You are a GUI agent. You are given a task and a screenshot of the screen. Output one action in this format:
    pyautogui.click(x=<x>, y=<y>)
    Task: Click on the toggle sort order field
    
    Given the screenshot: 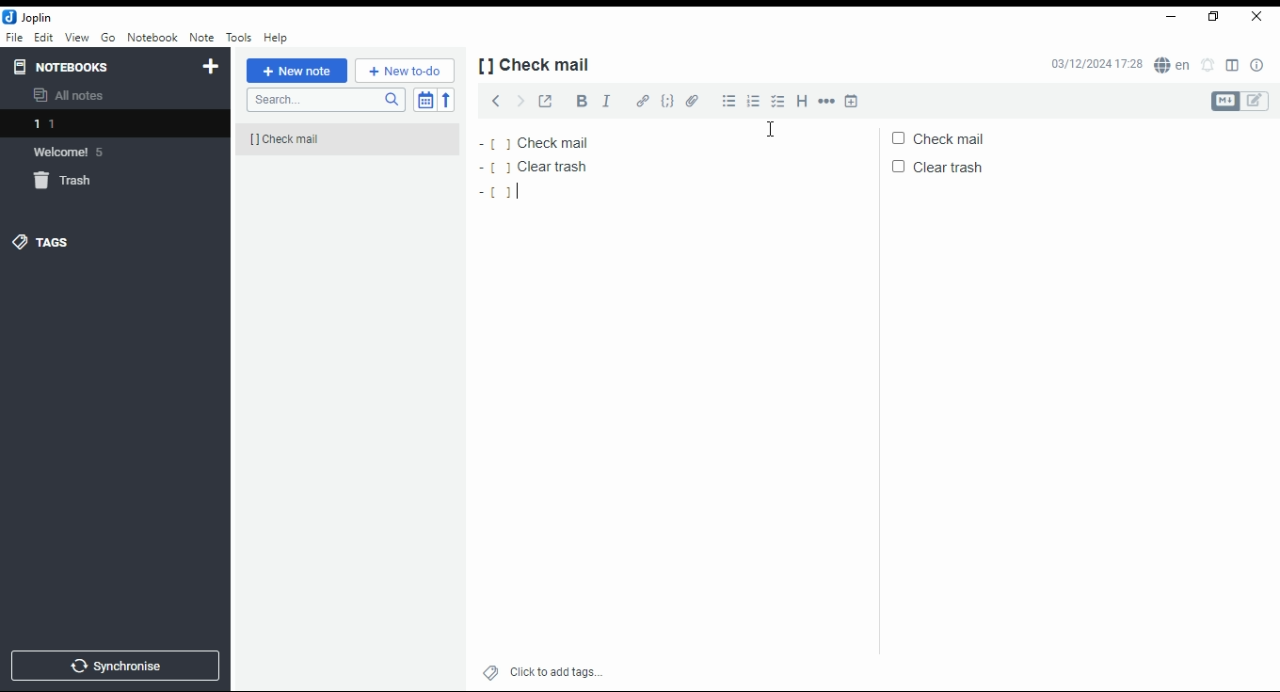 What is the action you would take?
    pyautogui.click(x=425, y=99)
    